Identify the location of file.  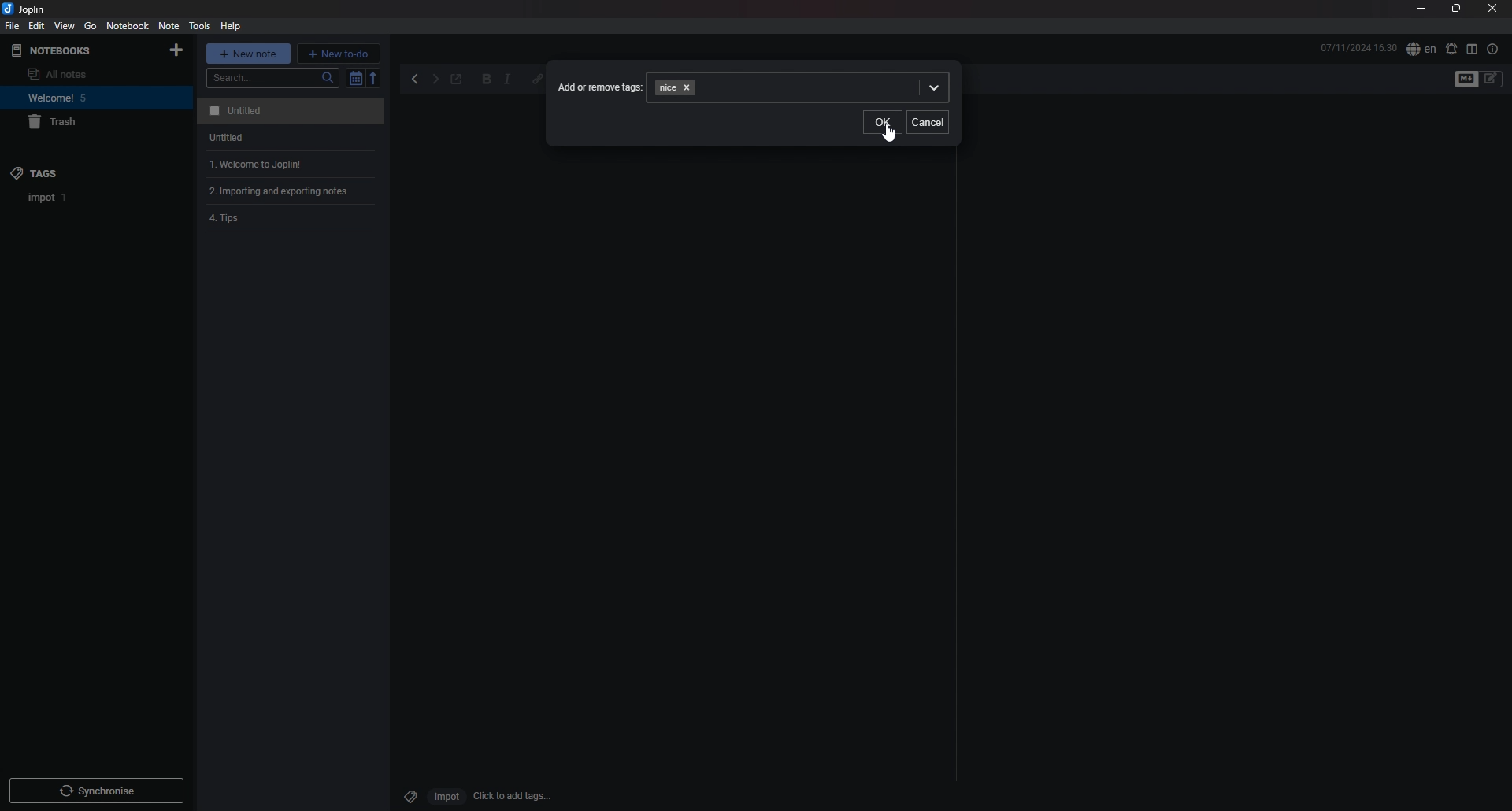
(13, 26).